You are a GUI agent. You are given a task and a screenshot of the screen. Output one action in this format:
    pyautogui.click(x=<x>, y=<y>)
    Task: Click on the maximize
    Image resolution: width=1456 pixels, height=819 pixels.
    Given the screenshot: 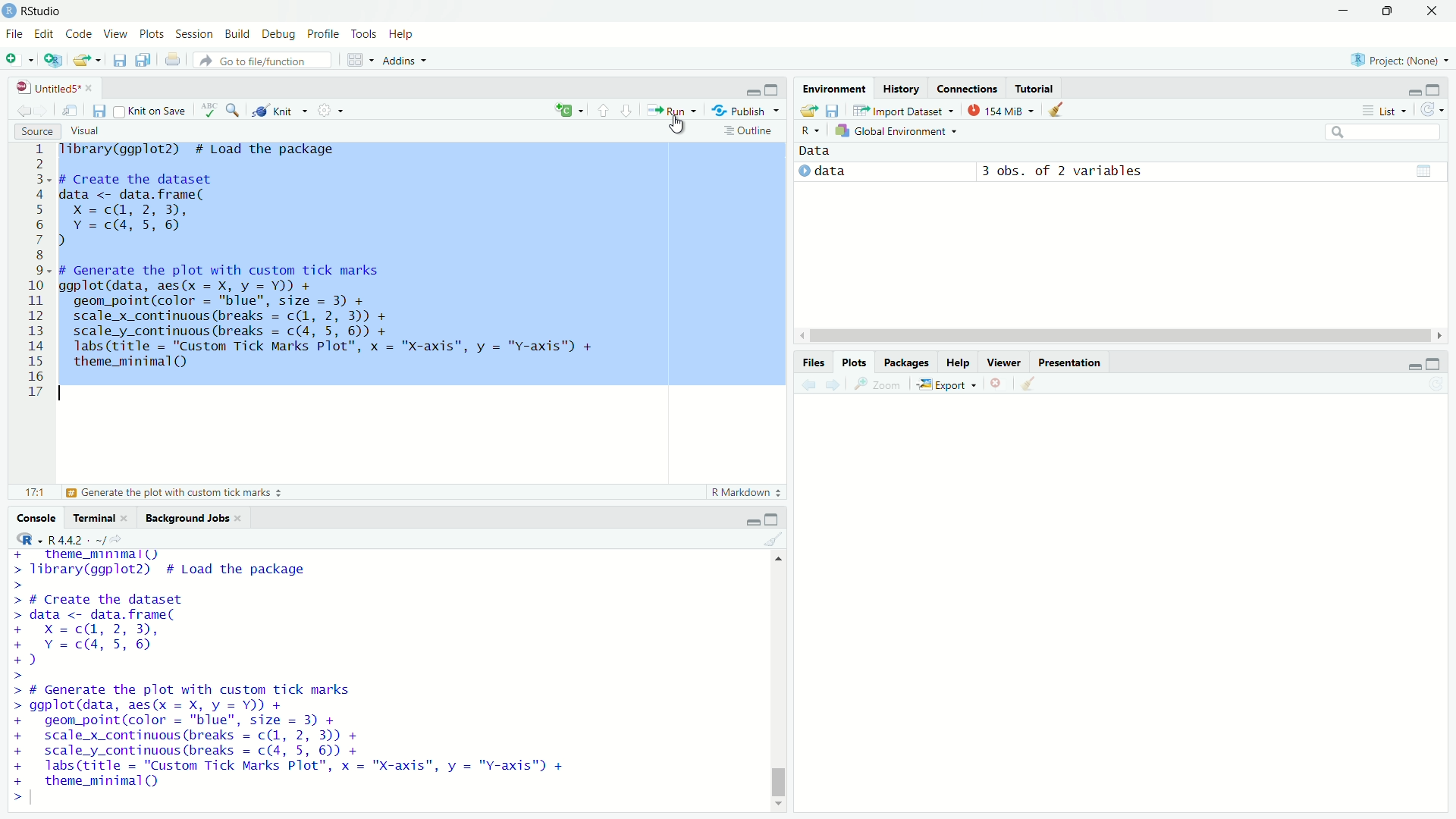 What is the action you would take?
    pyautogui.click(x=1442, y=364)
    